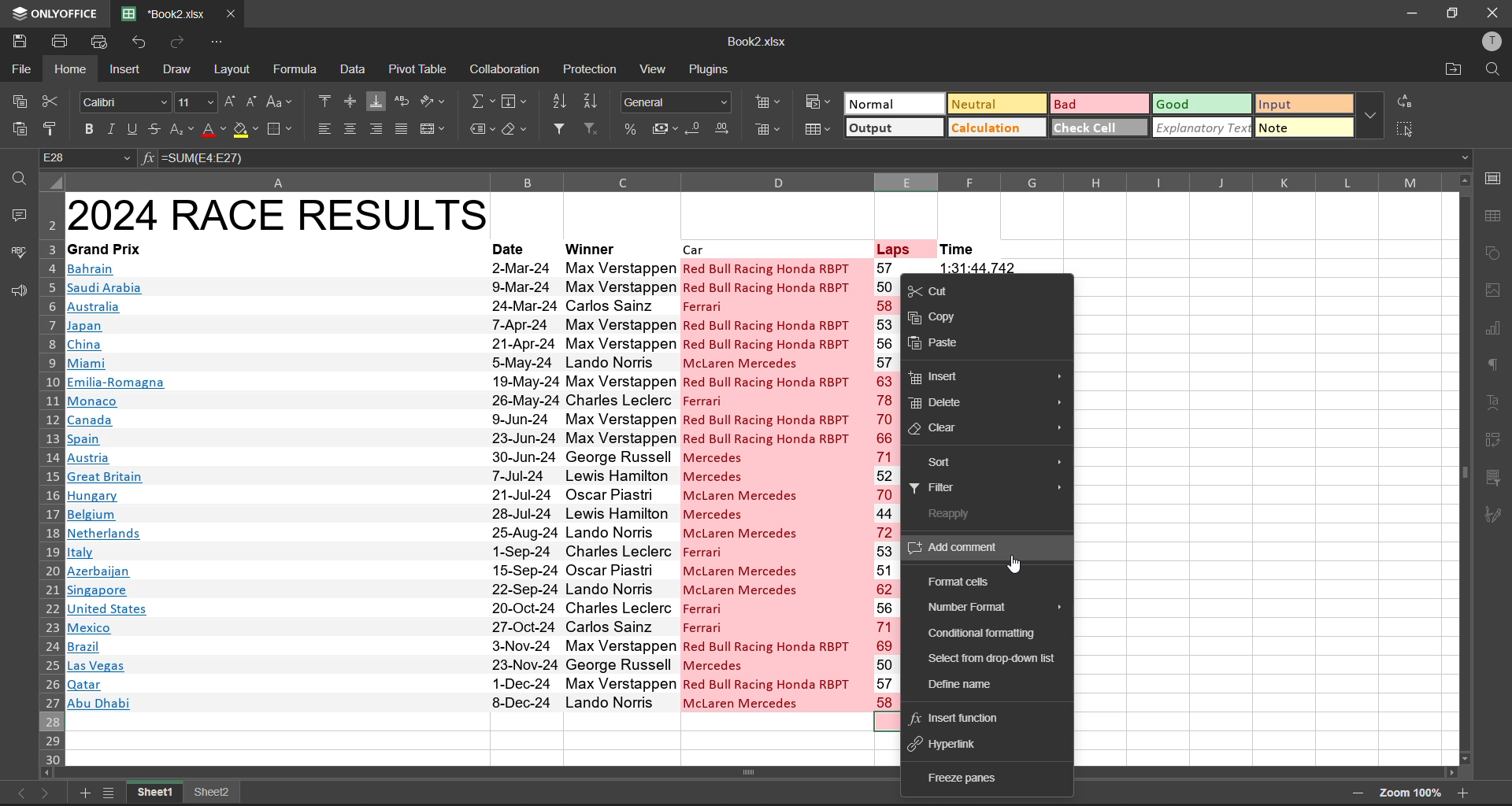 Image resolution: width=1512 pixels, height=806 pixels. I want to click on align left, so click(326, 129).